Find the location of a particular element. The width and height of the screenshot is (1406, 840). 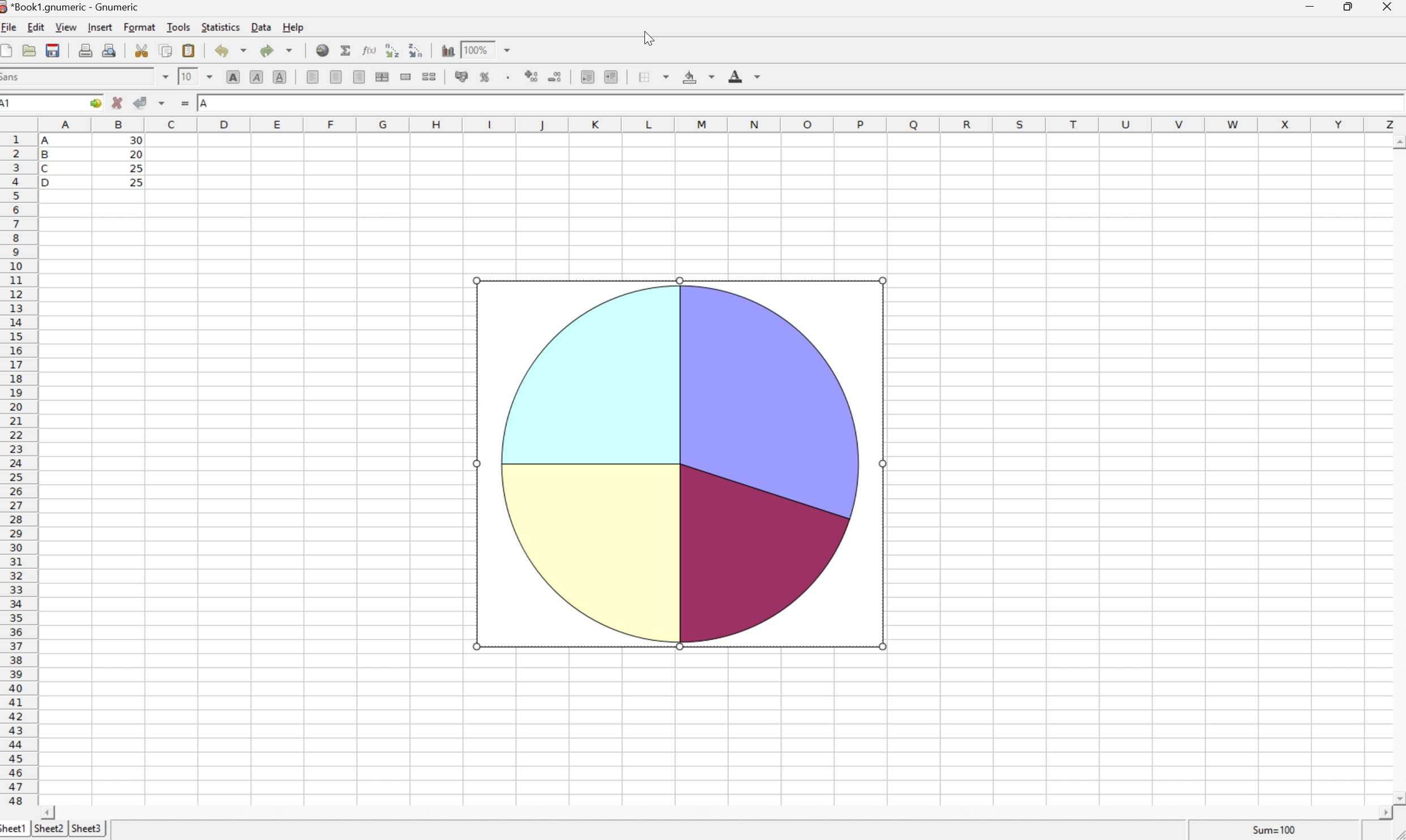

Sort the selected region in descending order based on the first column selected is located at coordinates (391, 49).